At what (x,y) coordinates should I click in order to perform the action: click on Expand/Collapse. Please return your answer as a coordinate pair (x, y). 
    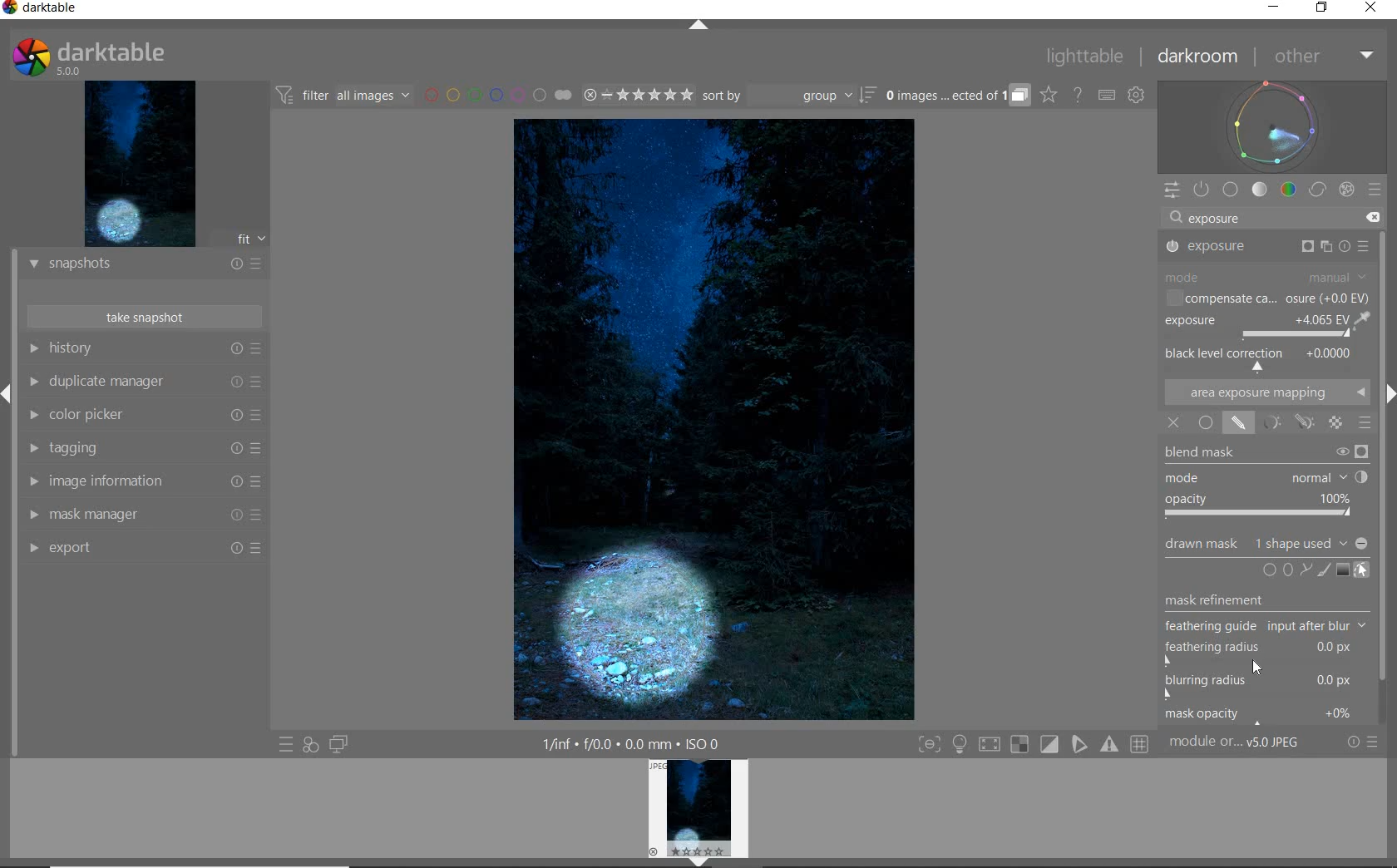
    Looking at the image, I should click on (1388, 391).